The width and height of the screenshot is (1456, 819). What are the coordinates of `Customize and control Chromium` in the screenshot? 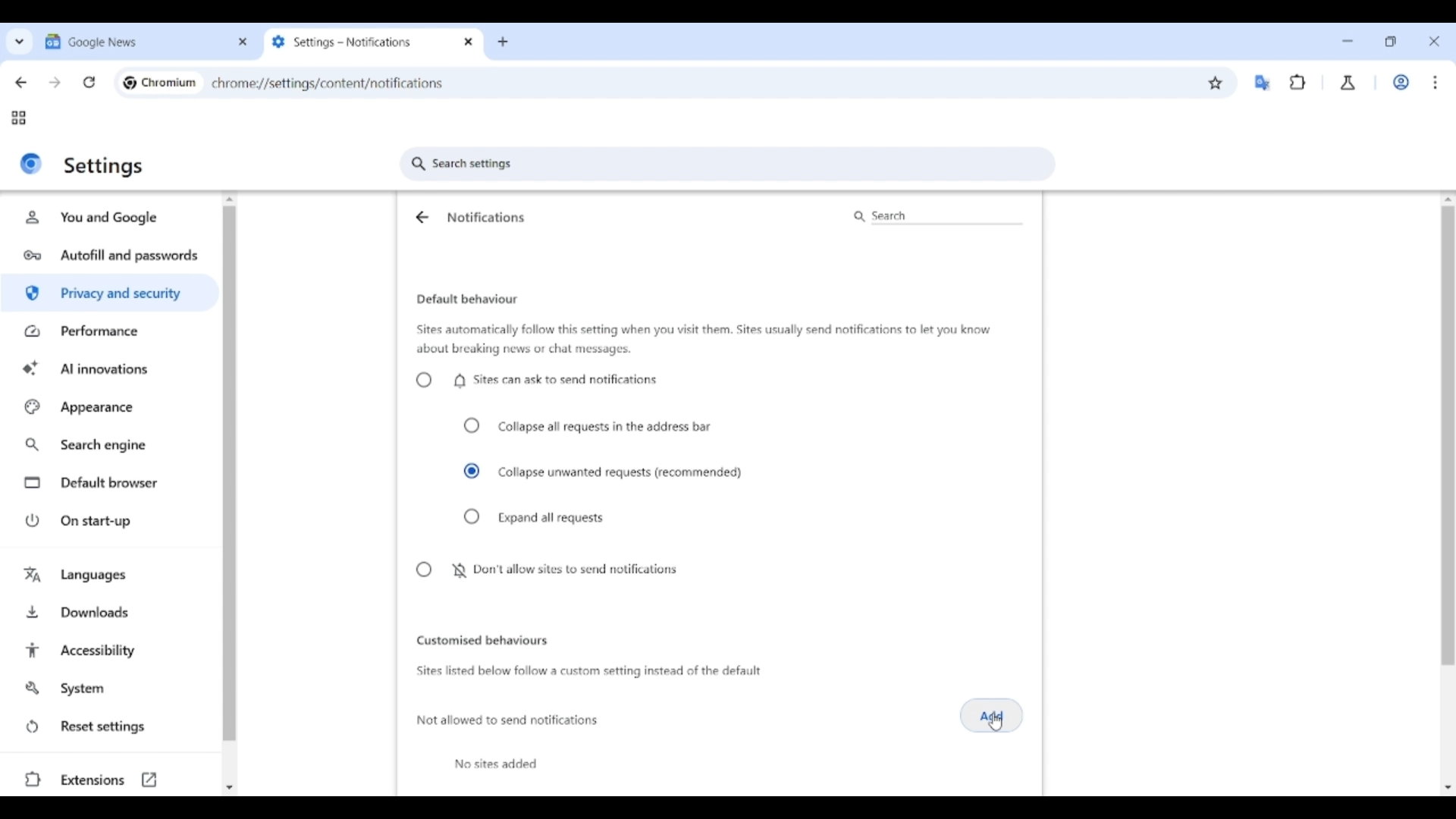 It's located at (1435, 82).